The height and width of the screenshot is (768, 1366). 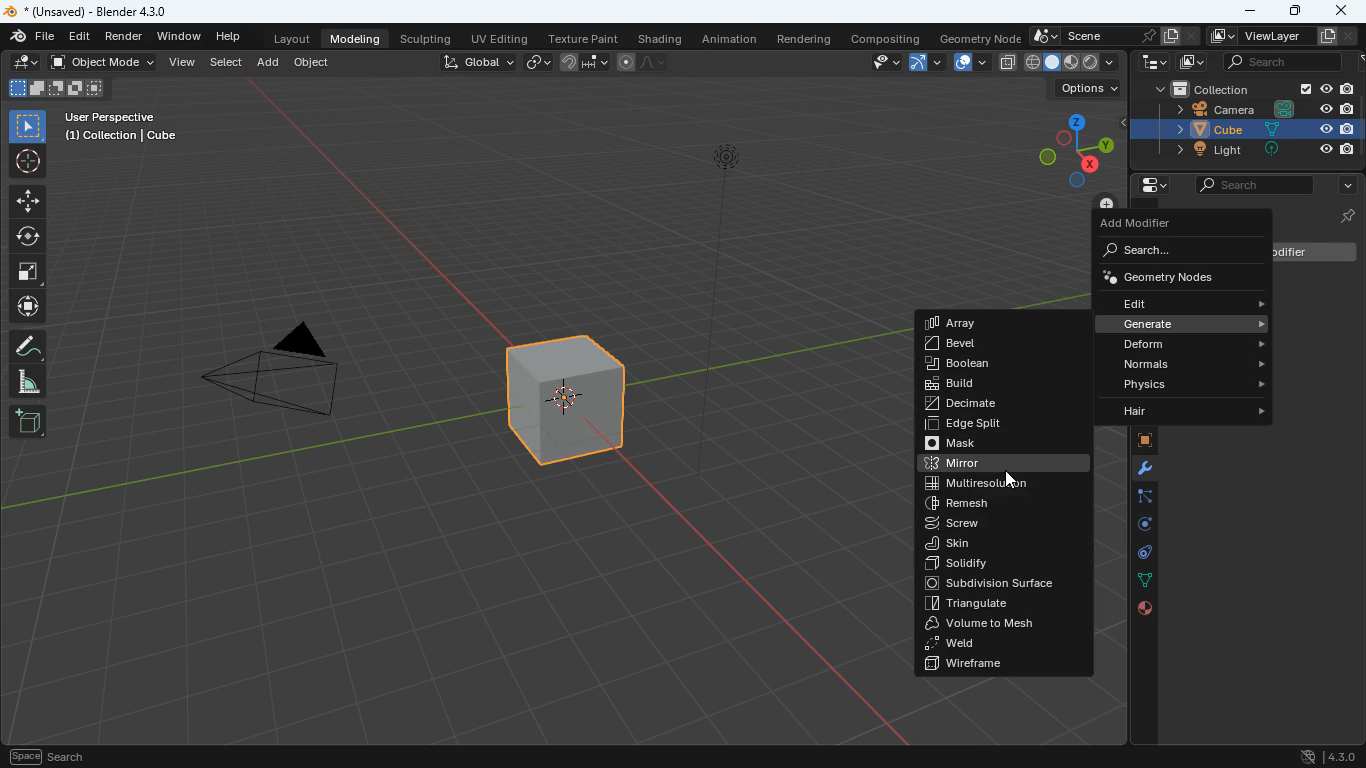 I want to click on bevel, so click(x=980, y=345).